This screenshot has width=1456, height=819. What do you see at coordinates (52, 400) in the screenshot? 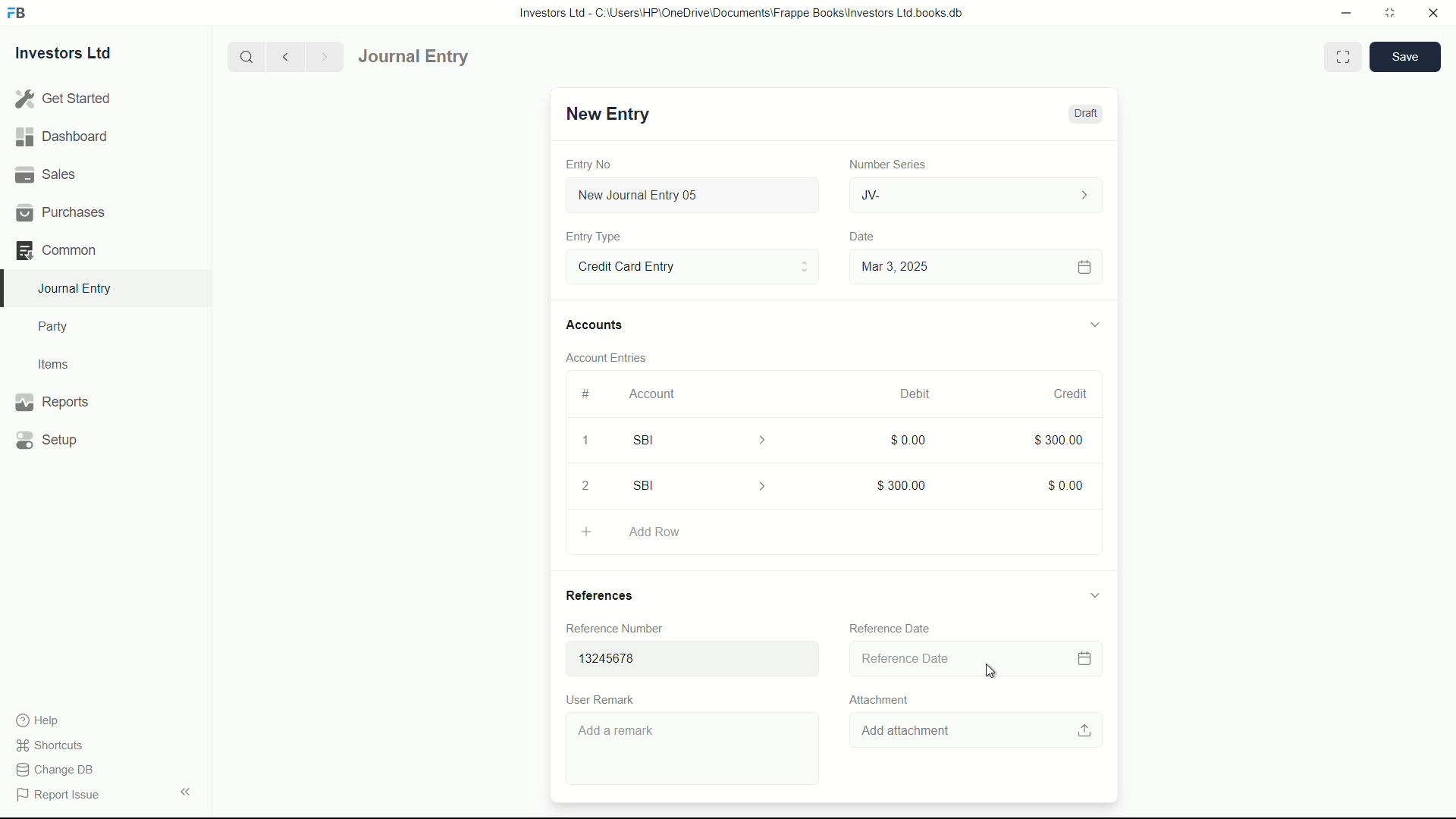
I see `Reports .` at bounding box center [52, 400].